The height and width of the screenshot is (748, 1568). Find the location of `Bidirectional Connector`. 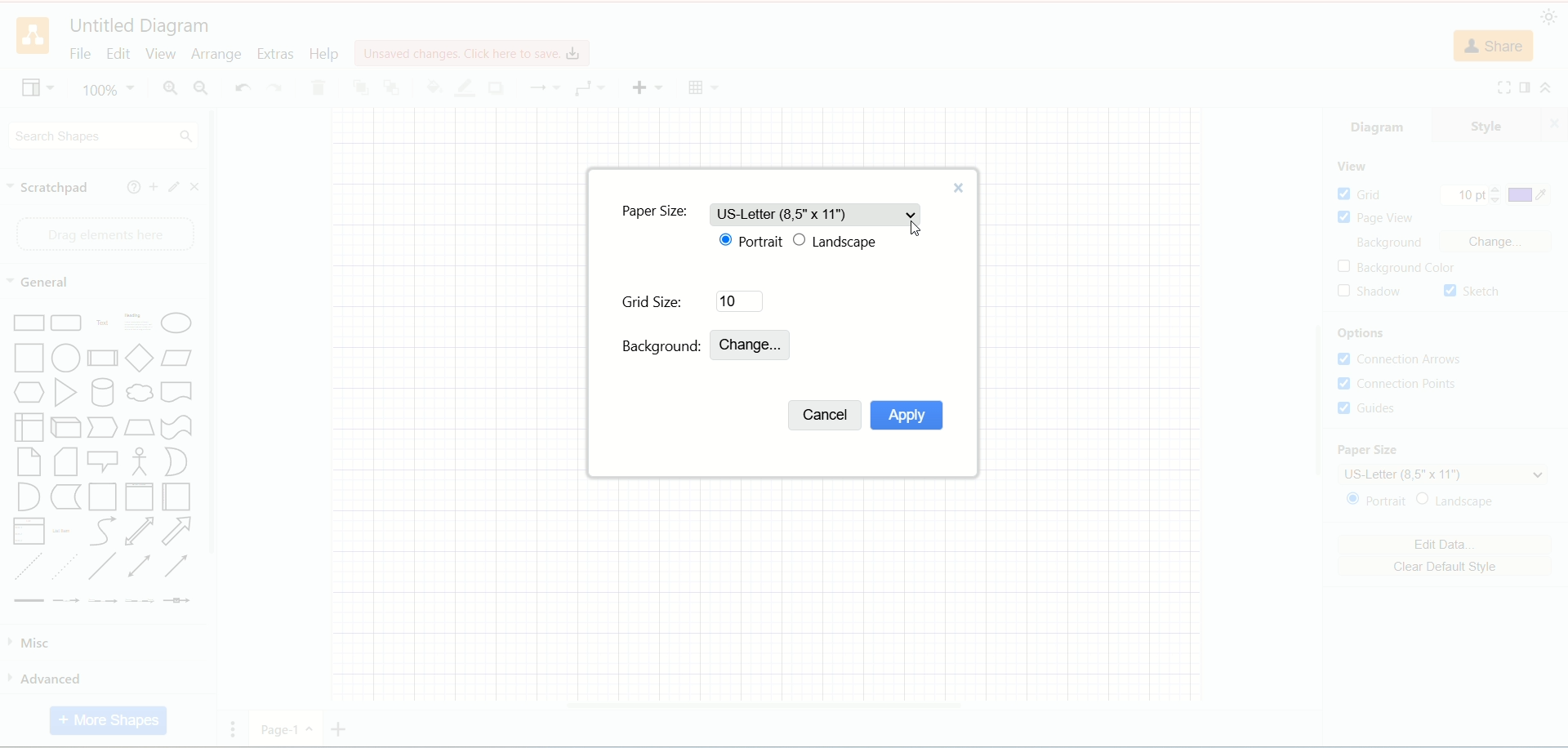

Bidirectional Connector is located at coordinates (143, 567).